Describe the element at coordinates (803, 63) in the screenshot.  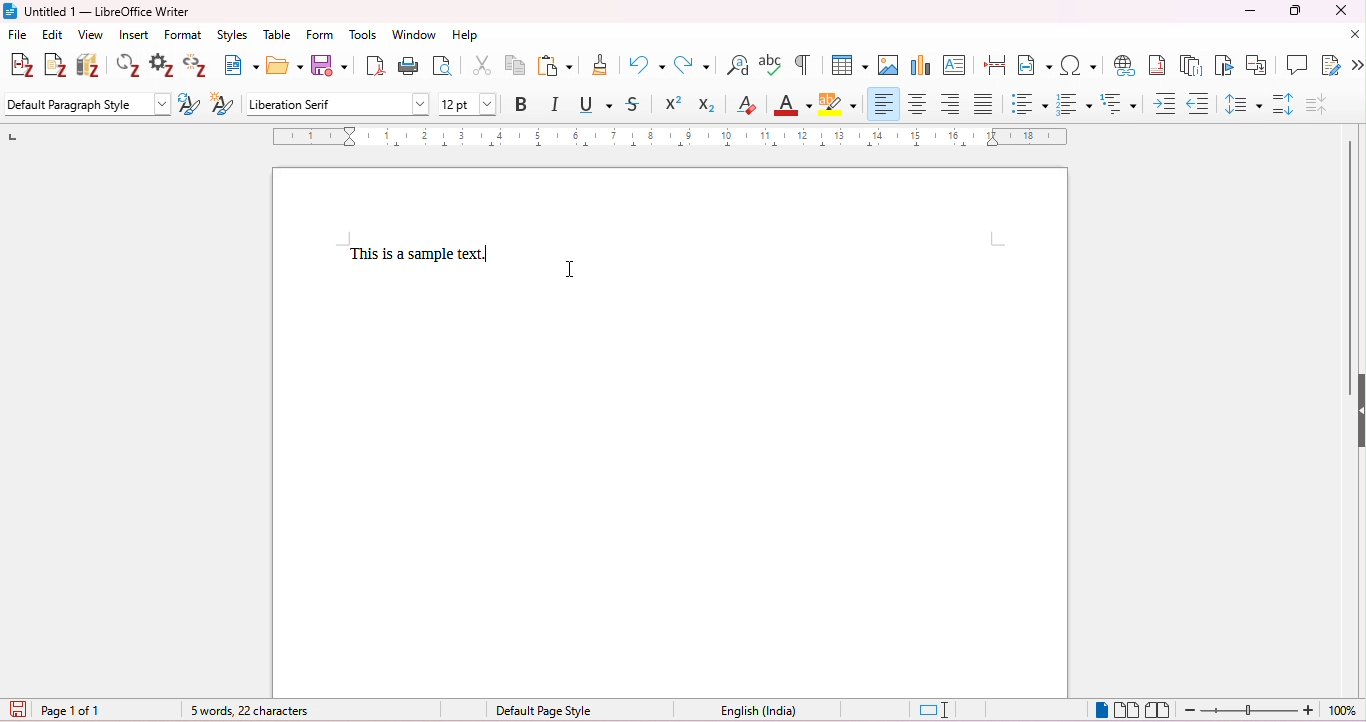
I see `toggle formatting marks` at that location.